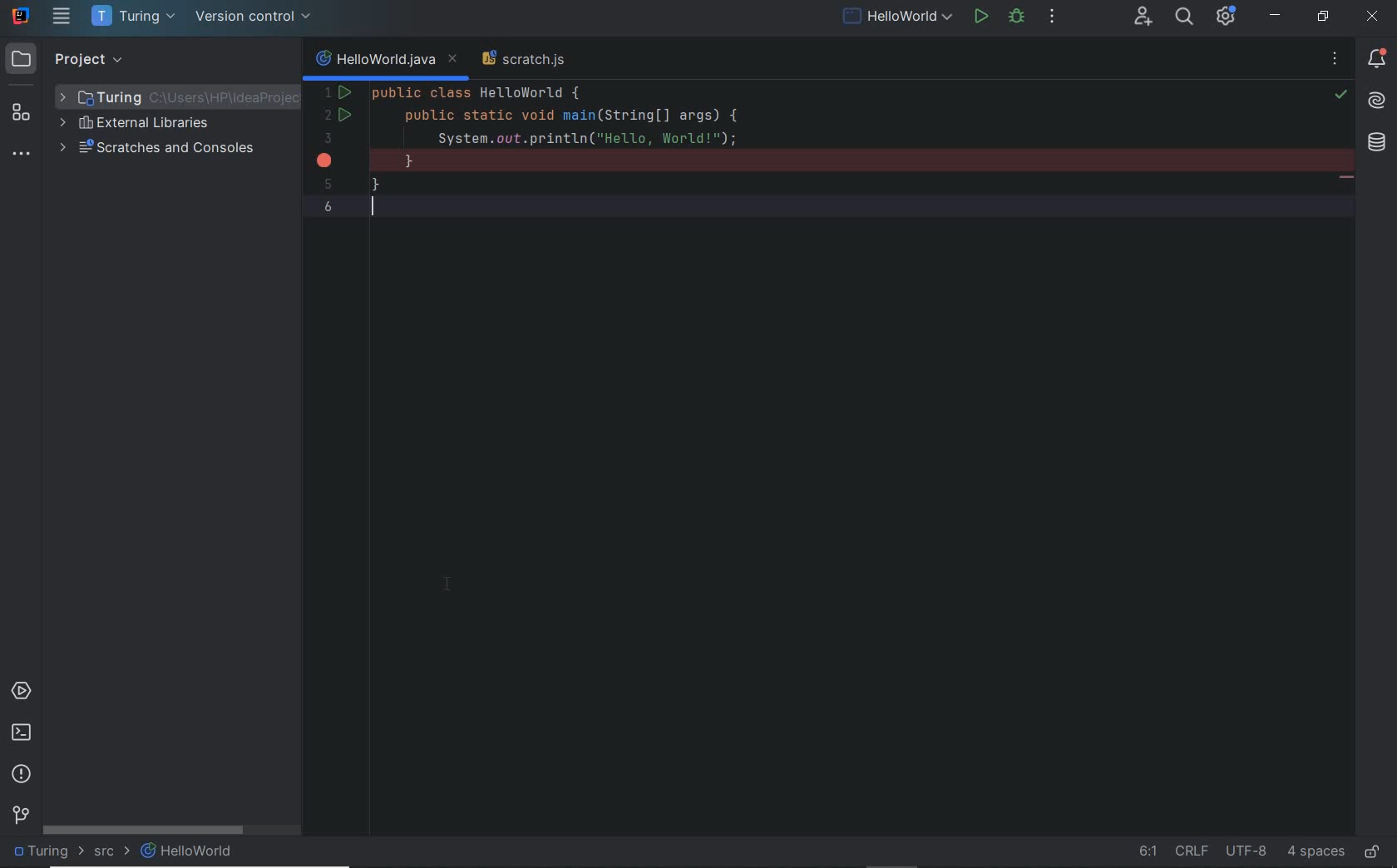 The width and height of the screenshot is (1397, 868). What do you see at coordinates (132, 17) in the screenshot?
I see `project name` at bounding box center [132, 17].